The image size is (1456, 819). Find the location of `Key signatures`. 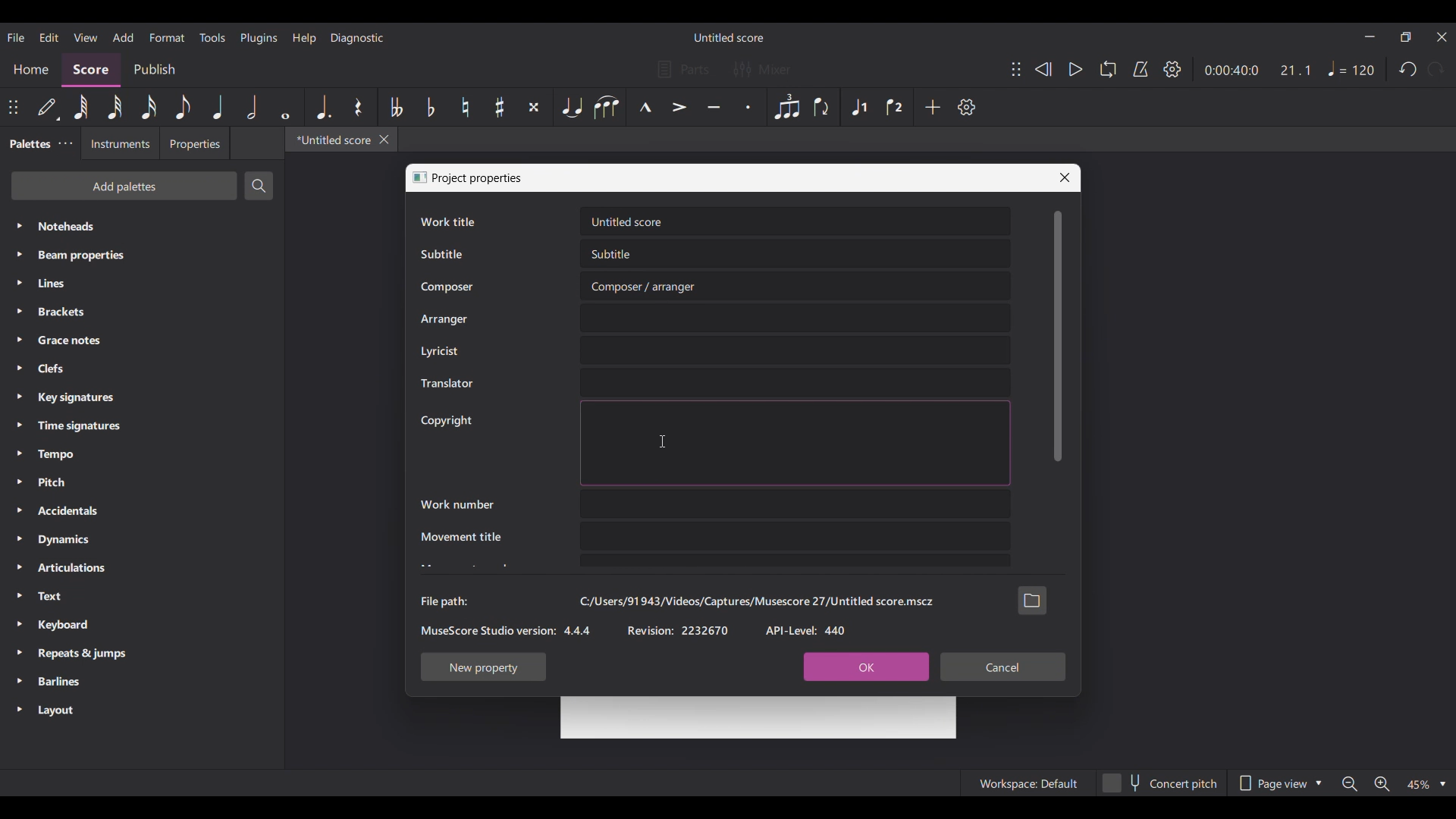

Key signatures is located at coordinates (143, 397).